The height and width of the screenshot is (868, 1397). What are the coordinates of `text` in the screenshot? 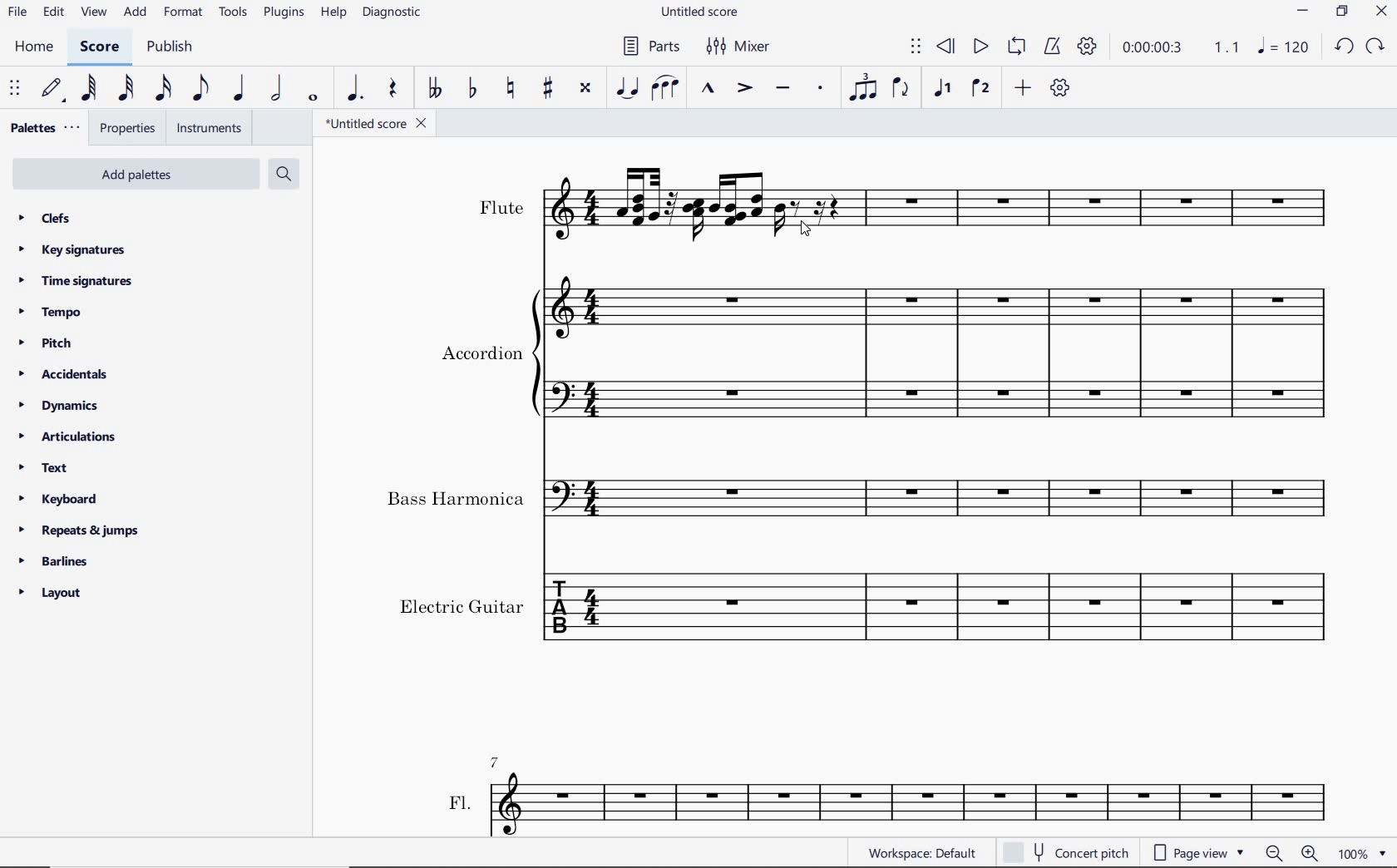 It's located at (481, 352).